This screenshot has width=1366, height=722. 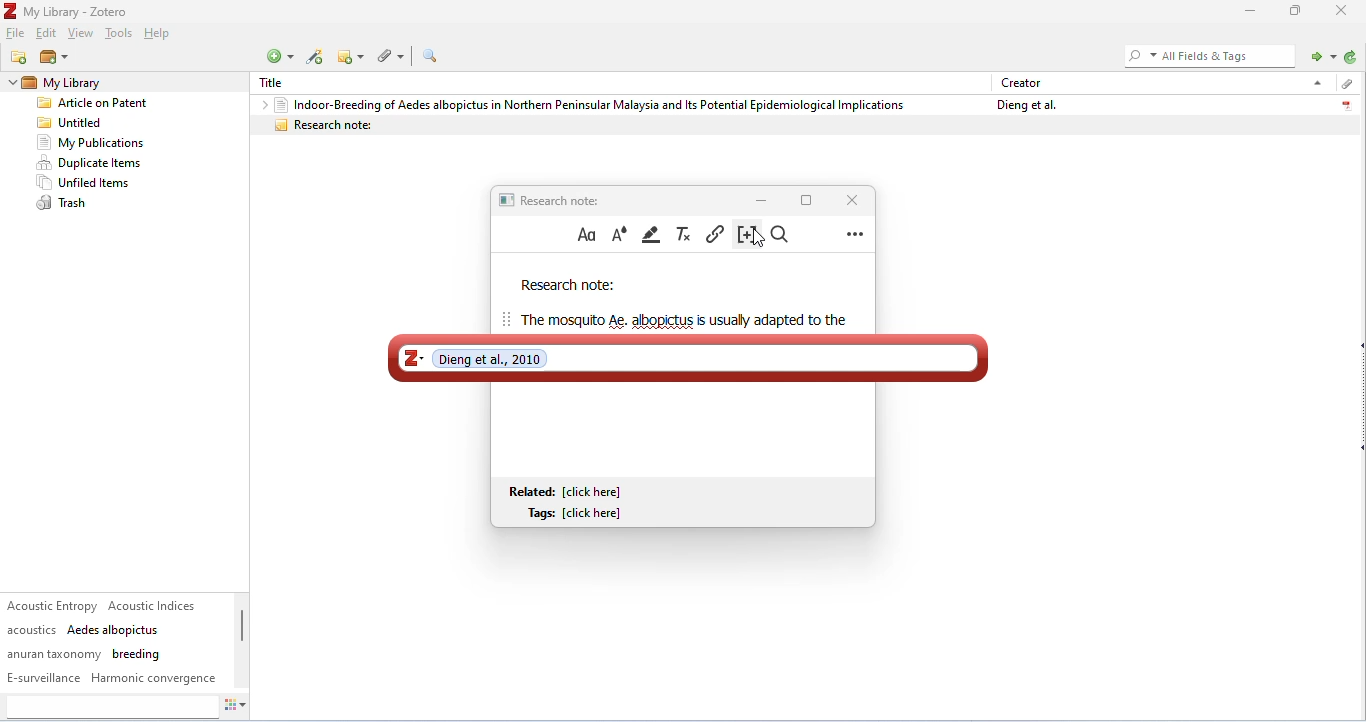 I want to click on pdf, so click(x=1346, y=103).